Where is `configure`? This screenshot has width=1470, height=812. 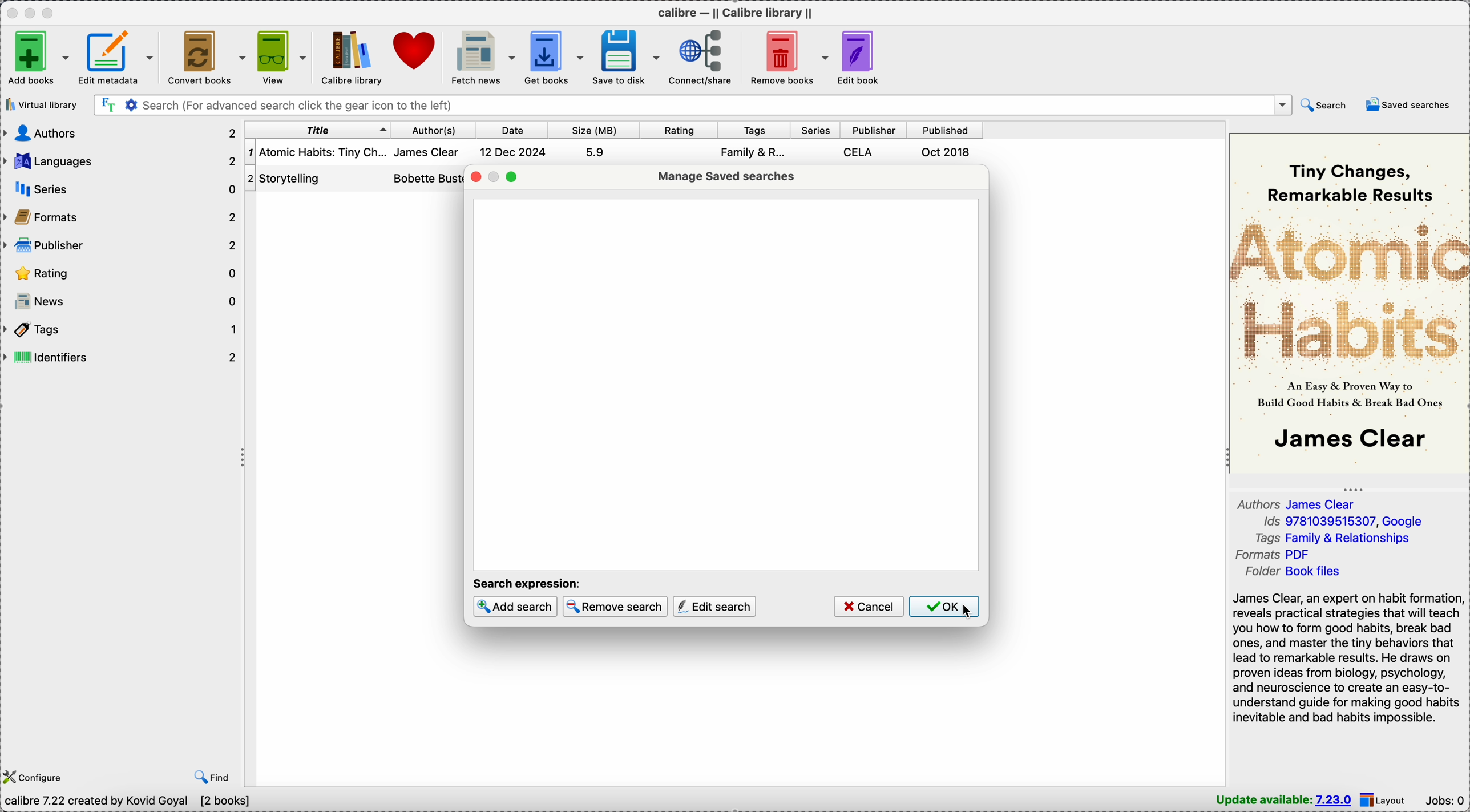 configure is located at coordinates (33, 777).